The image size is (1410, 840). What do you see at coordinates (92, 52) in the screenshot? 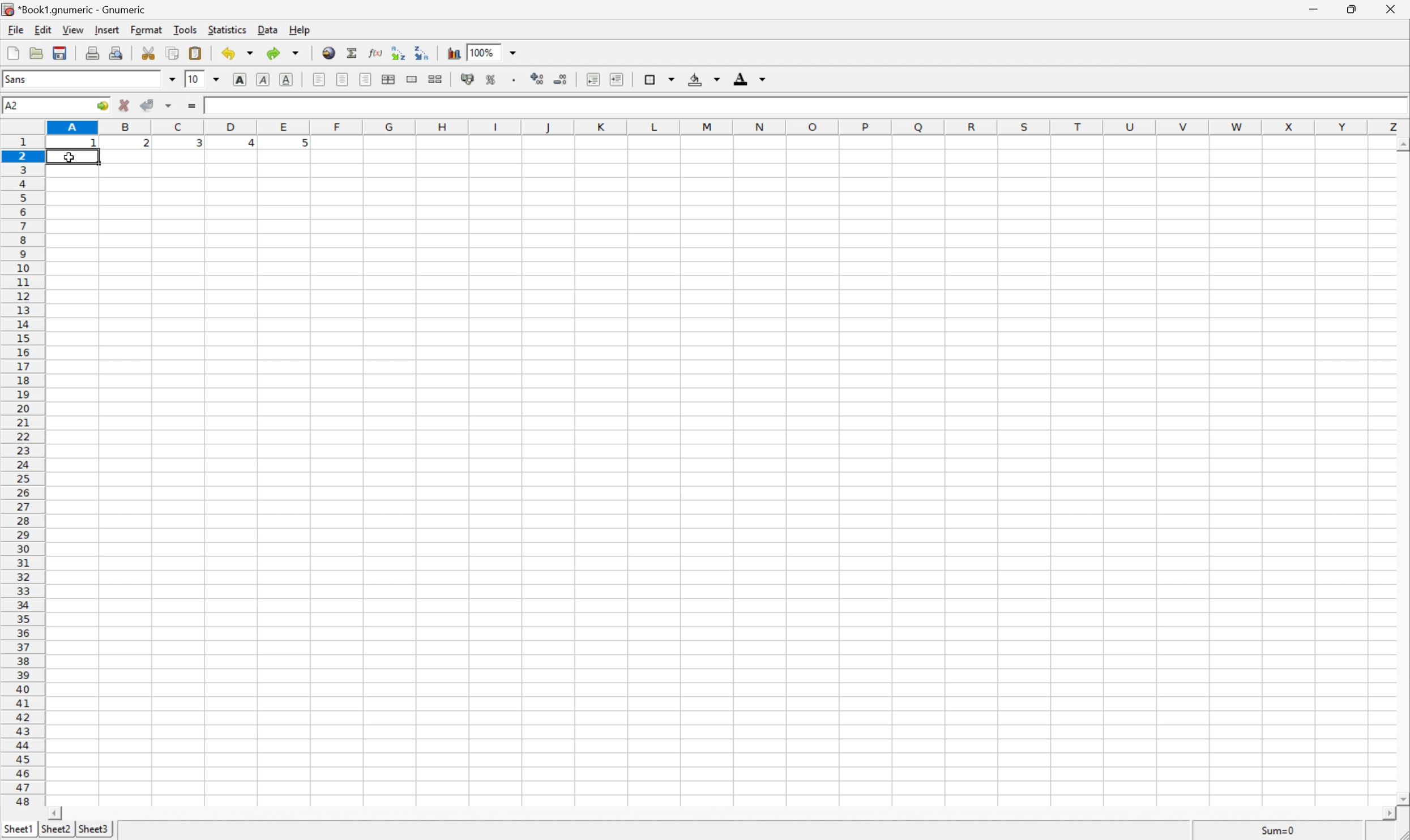
I see `print` at bounding box center [92, 52].